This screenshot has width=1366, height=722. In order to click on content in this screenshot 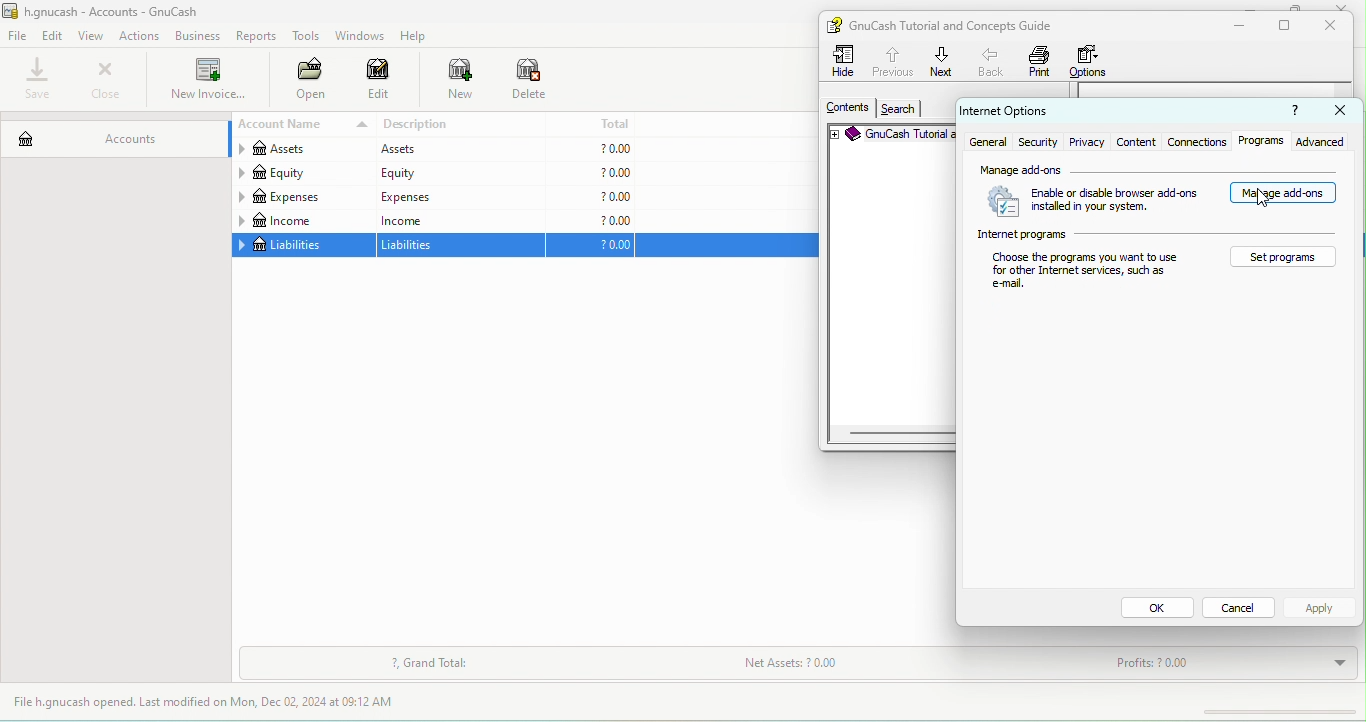, I will do `click(1136, 142)`.